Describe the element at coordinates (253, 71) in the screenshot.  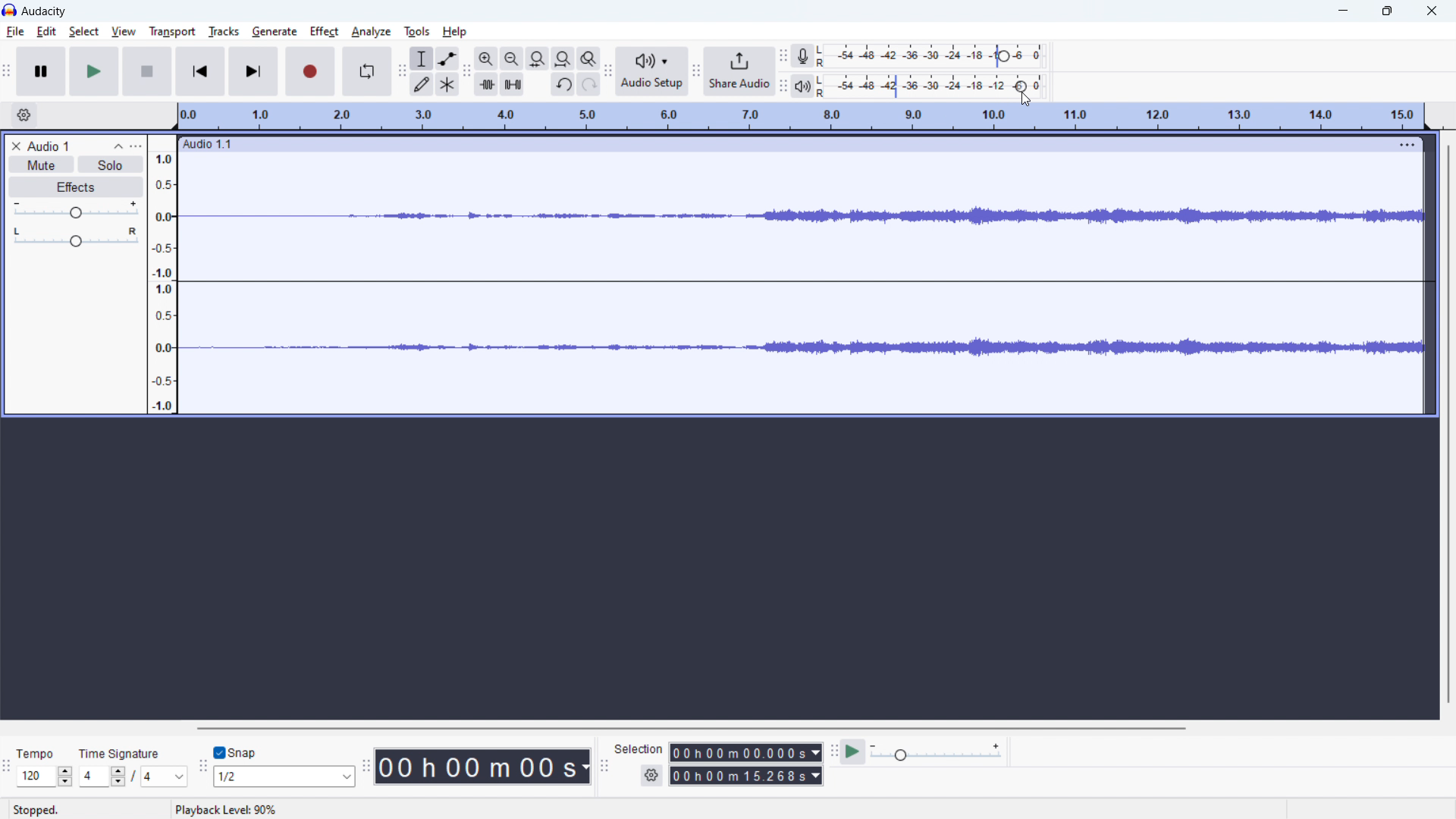
I see `skip to last` at that location.